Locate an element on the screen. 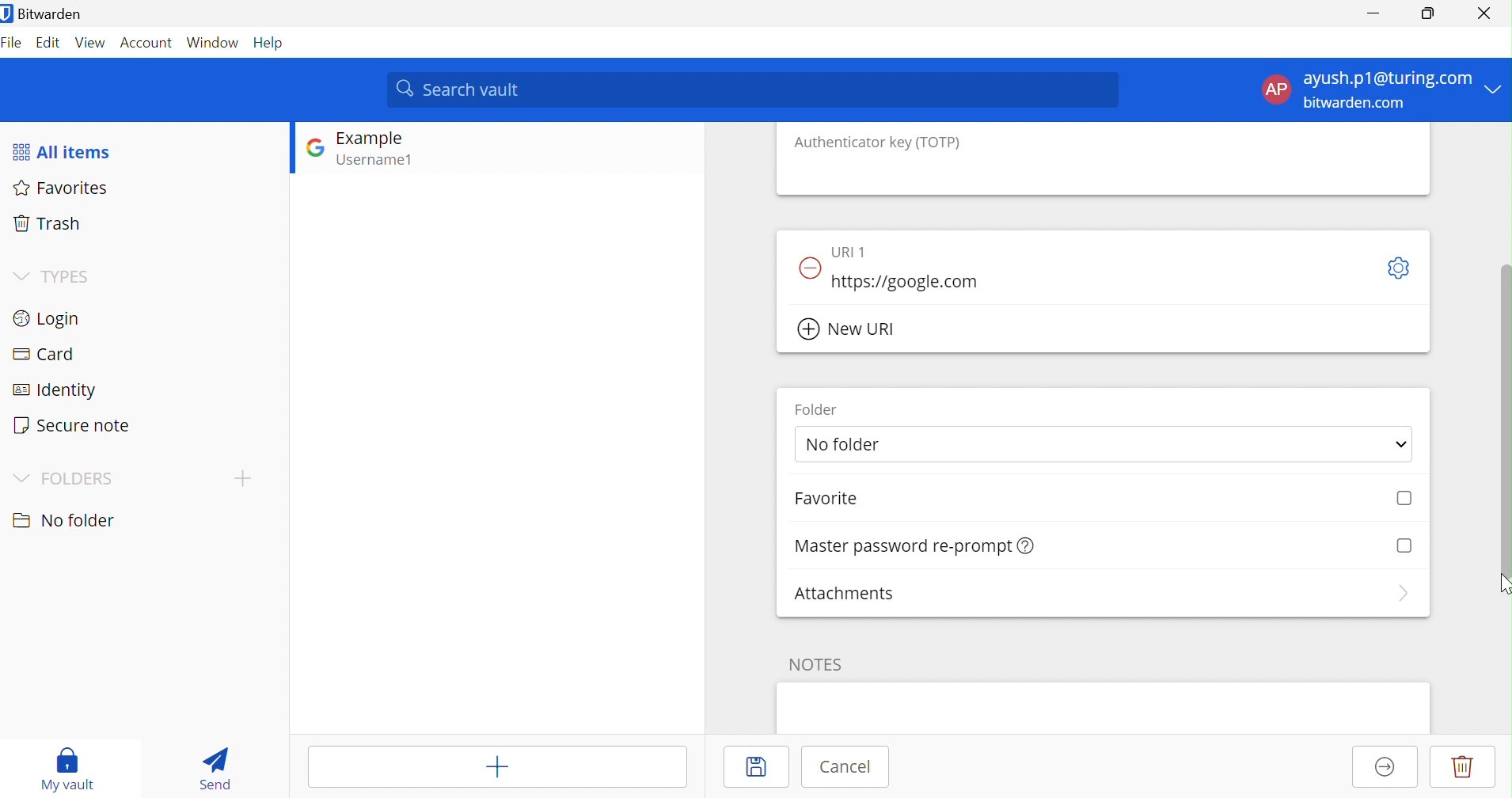 Image resolution: width=1512 pixels, height=798 pixels. My vault is located at coordinates (69, 767).